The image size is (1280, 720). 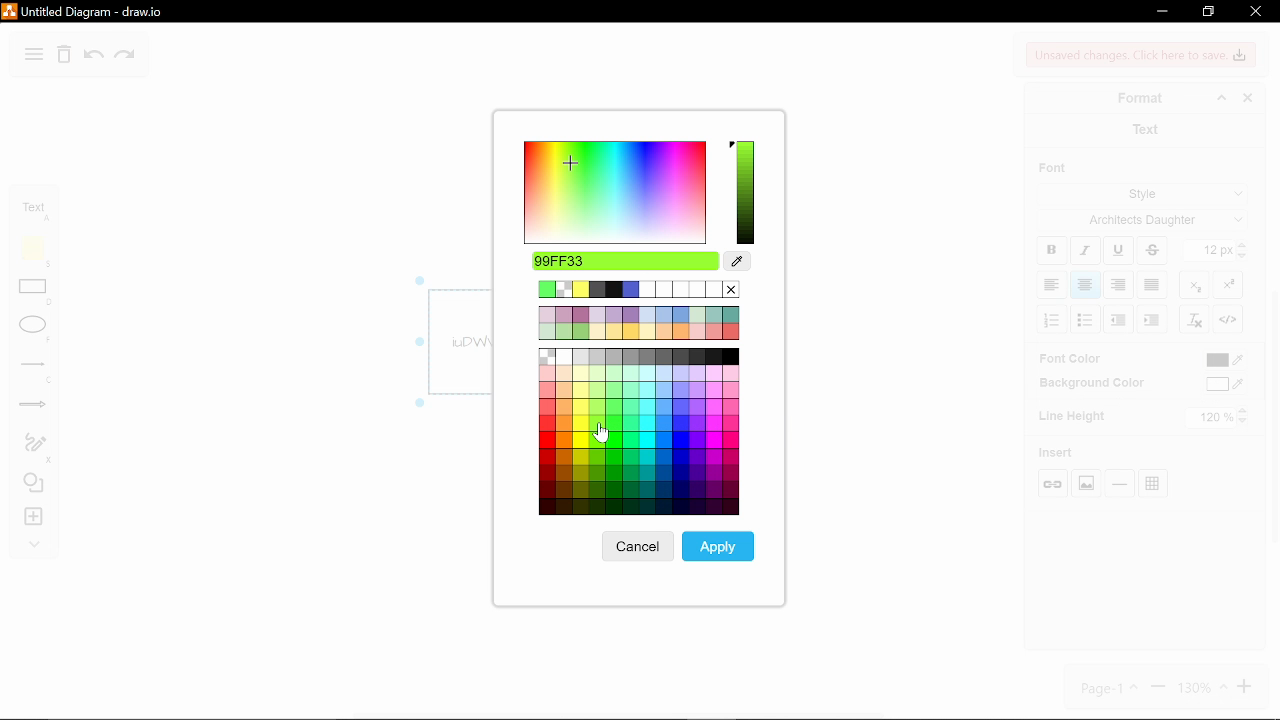 What do you see at coordinates (1197, 284) in the screenshot?
I see `subscript` at bounding box center [1197, 284].